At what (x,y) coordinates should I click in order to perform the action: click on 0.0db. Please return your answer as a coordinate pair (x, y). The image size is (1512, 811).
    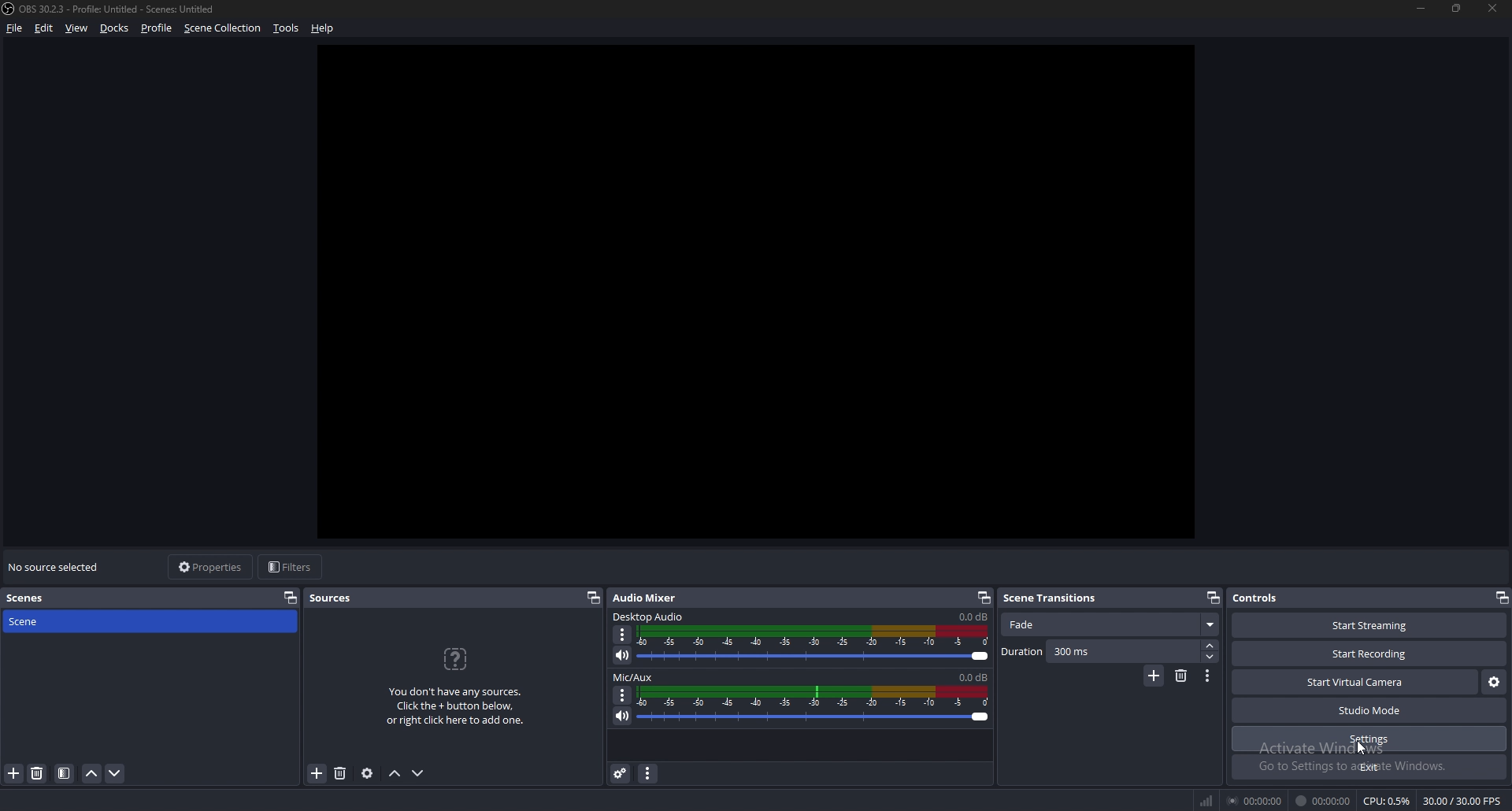
    Looking at the image, I should click on (973, 676).